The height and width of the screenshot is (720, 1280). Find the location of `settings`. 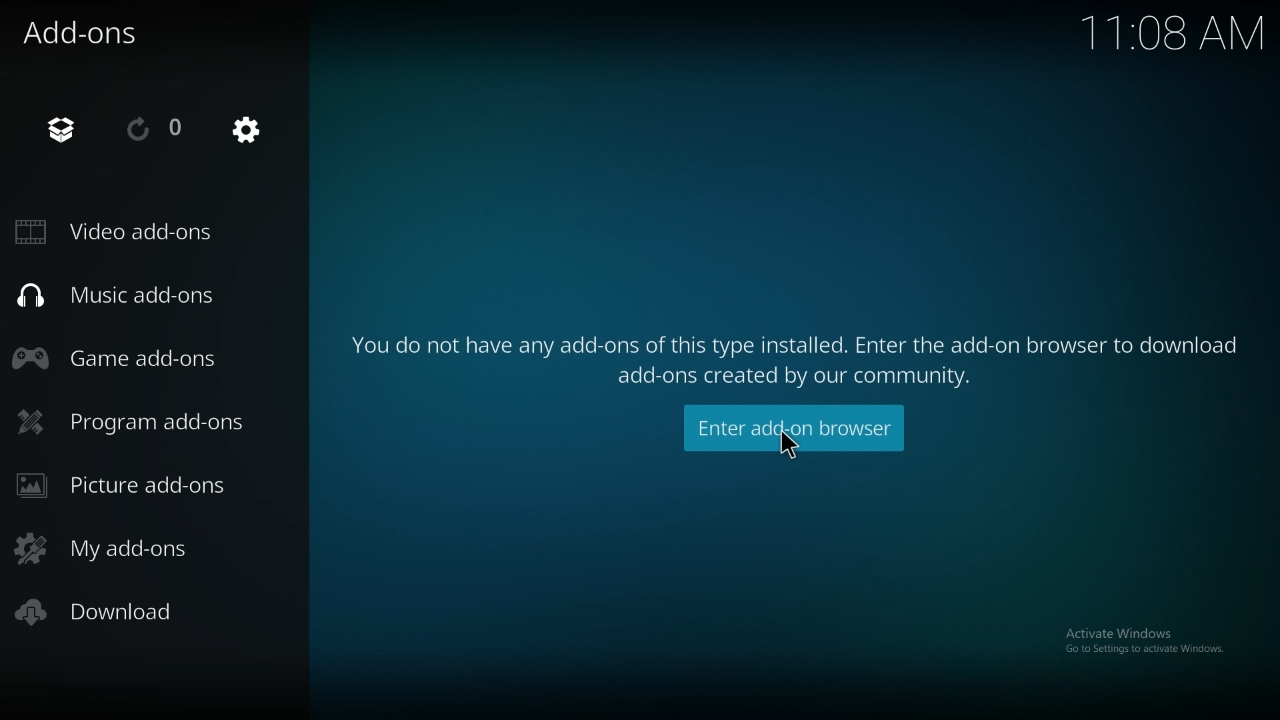

settings is located at coordinates (246, 129).